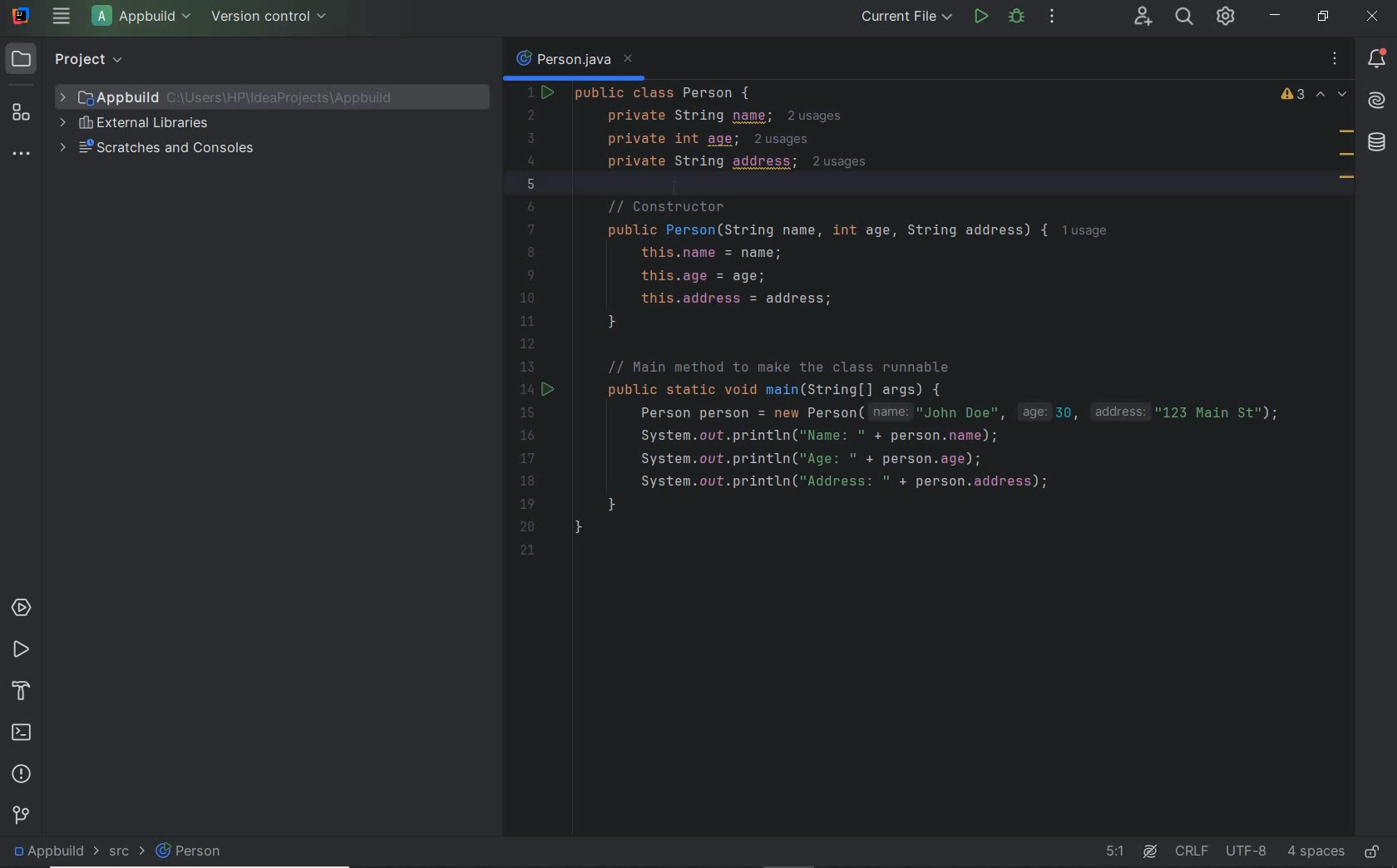 This screenshot has height=868, width=1397. I want to click on terminal, so click(22, 730).